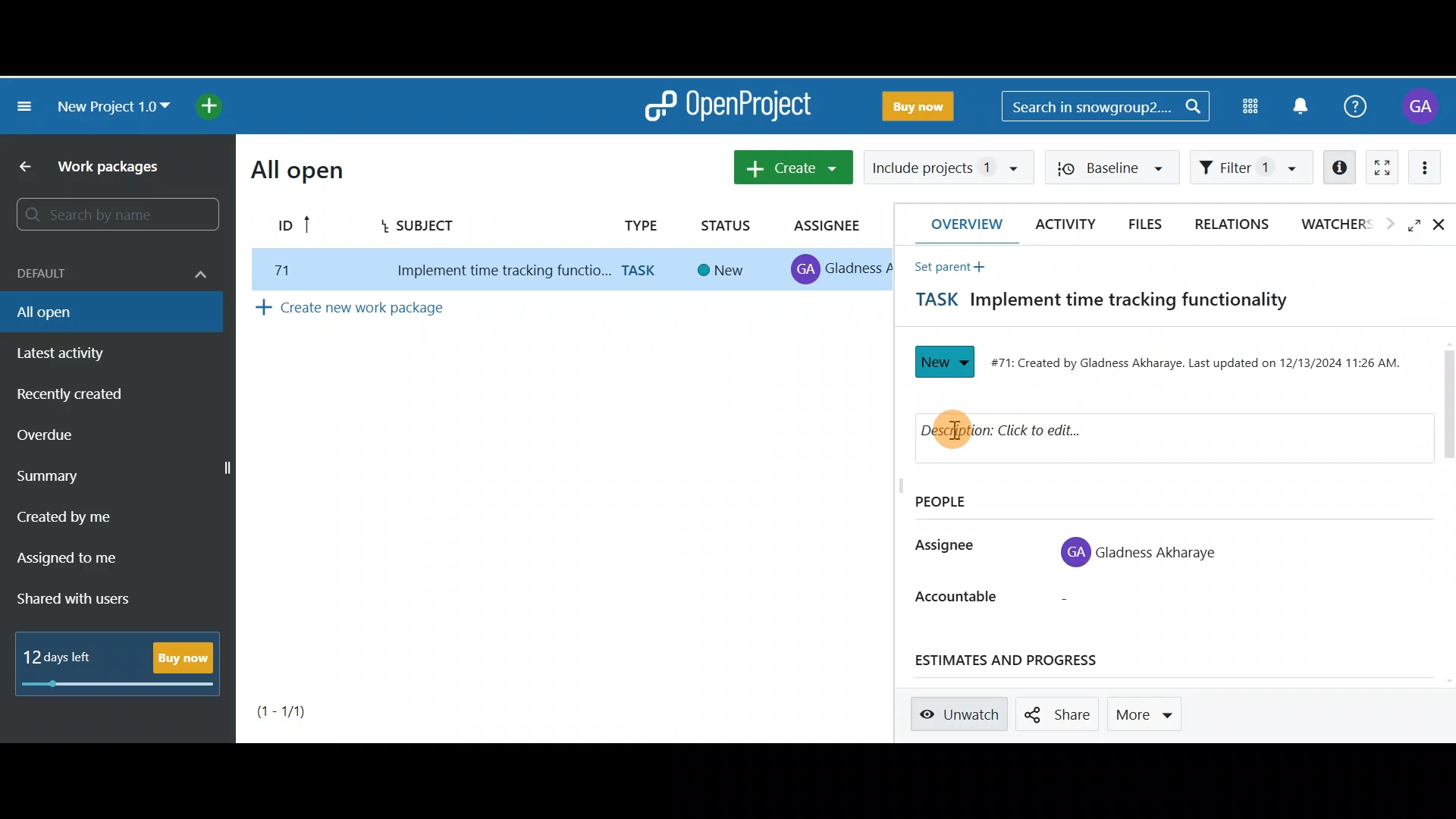  What do you see at coordinates (63, 475) in the screenshot?
I see `Summary` at bounding box center [63, 475].